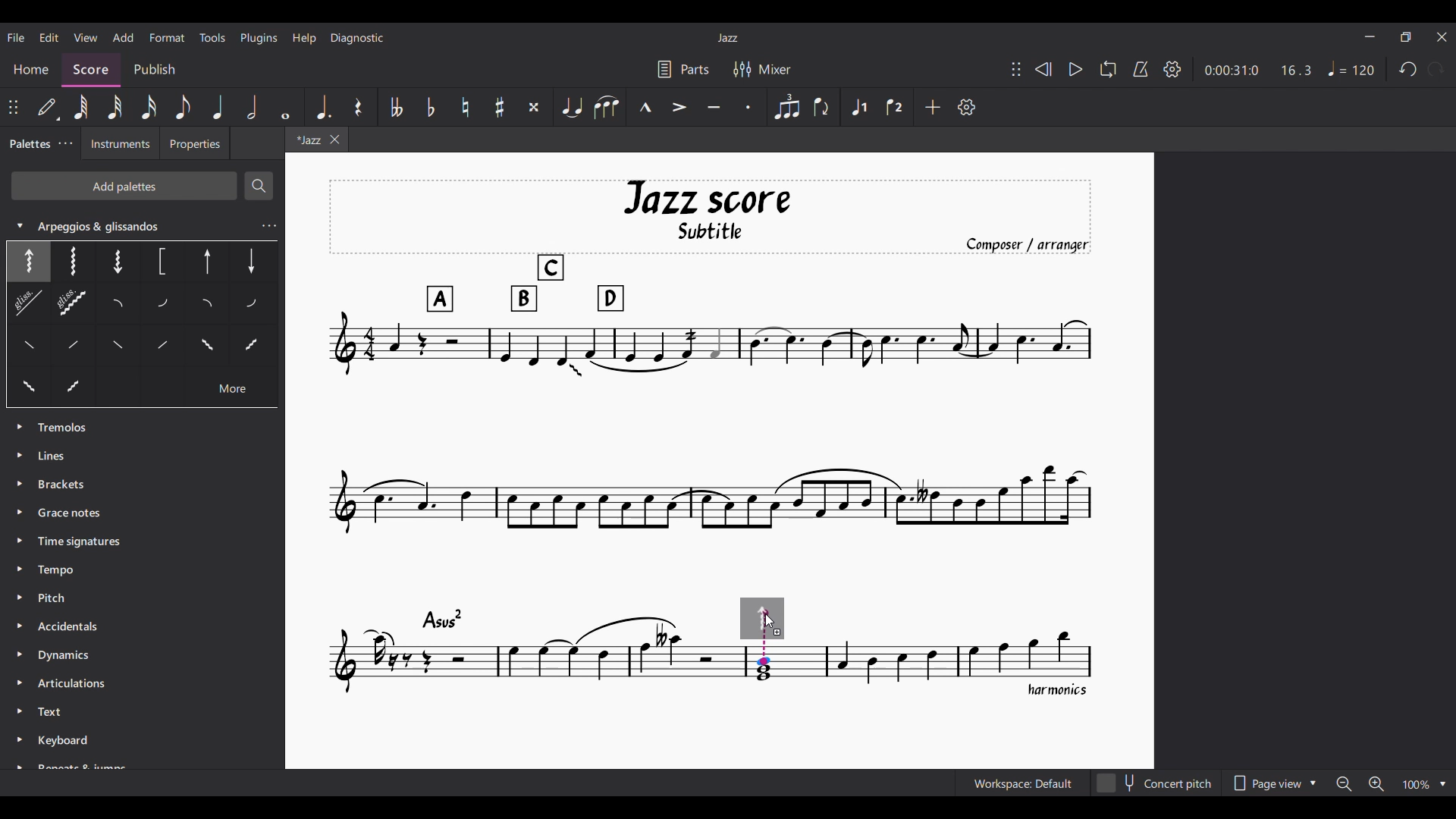 Image resolution: width=1456 pixels, height=819 pixels. I want to click on Add palettes, so click(124, 186).